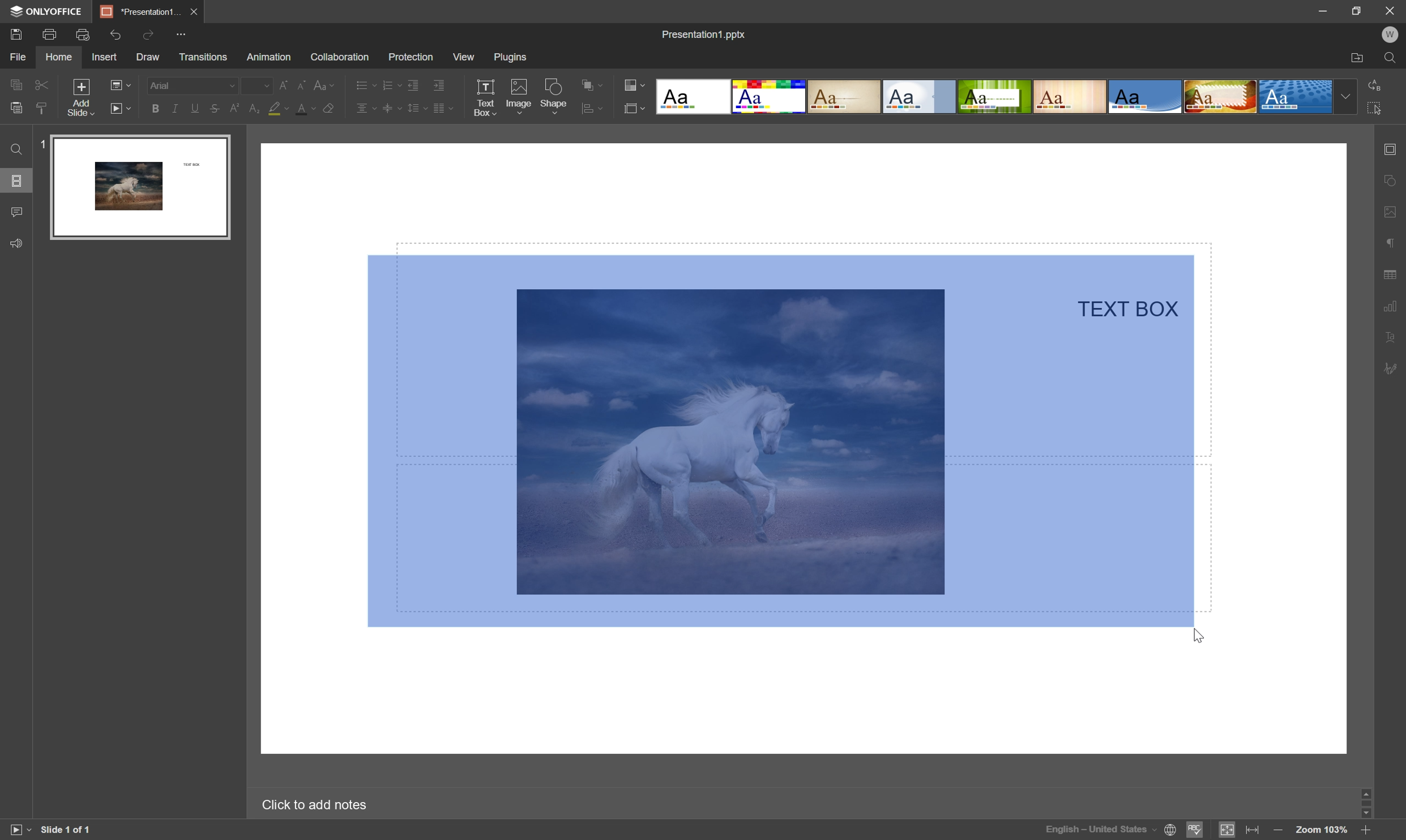 The width and height of the screenshot is (1406, 840). I want to click on font, so click(191, 84).